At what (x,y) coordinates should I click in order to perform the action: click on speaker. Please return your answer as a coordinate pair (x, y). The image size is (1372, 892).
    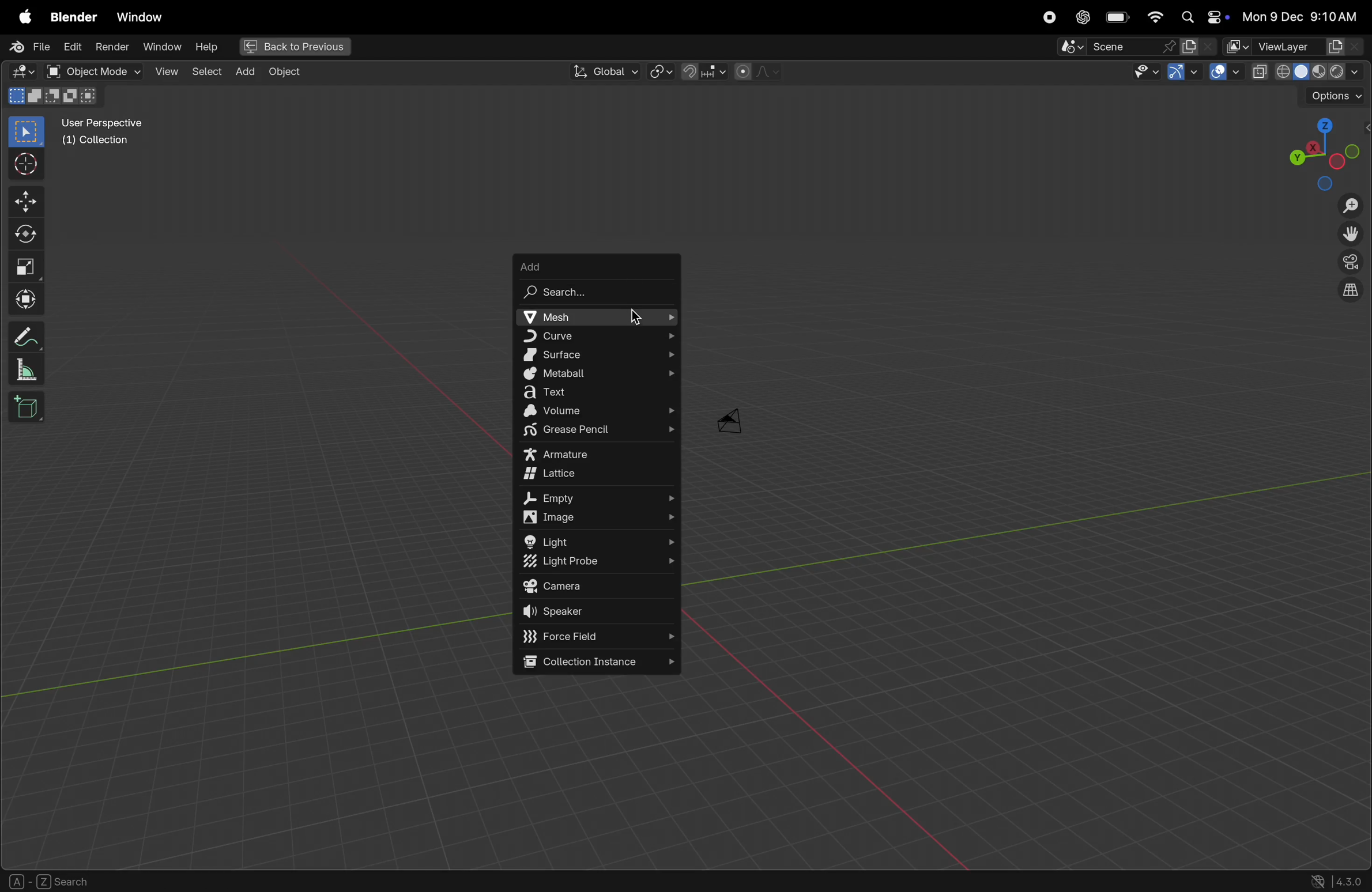
    Looking at the image, I should click on (600, 613).